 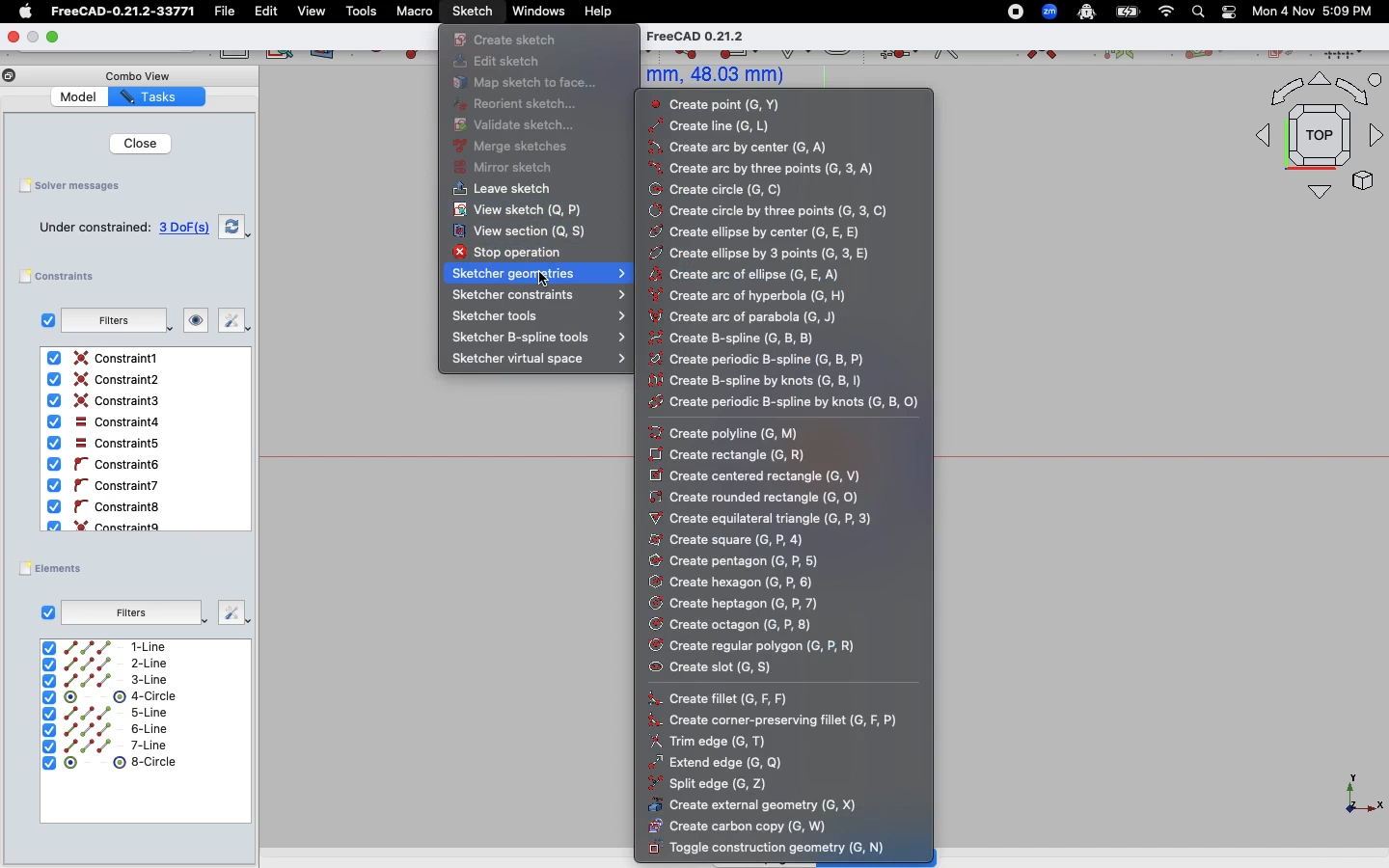 I want to click on Create regular polygon (G, P, R), so click(x=755, y=646).